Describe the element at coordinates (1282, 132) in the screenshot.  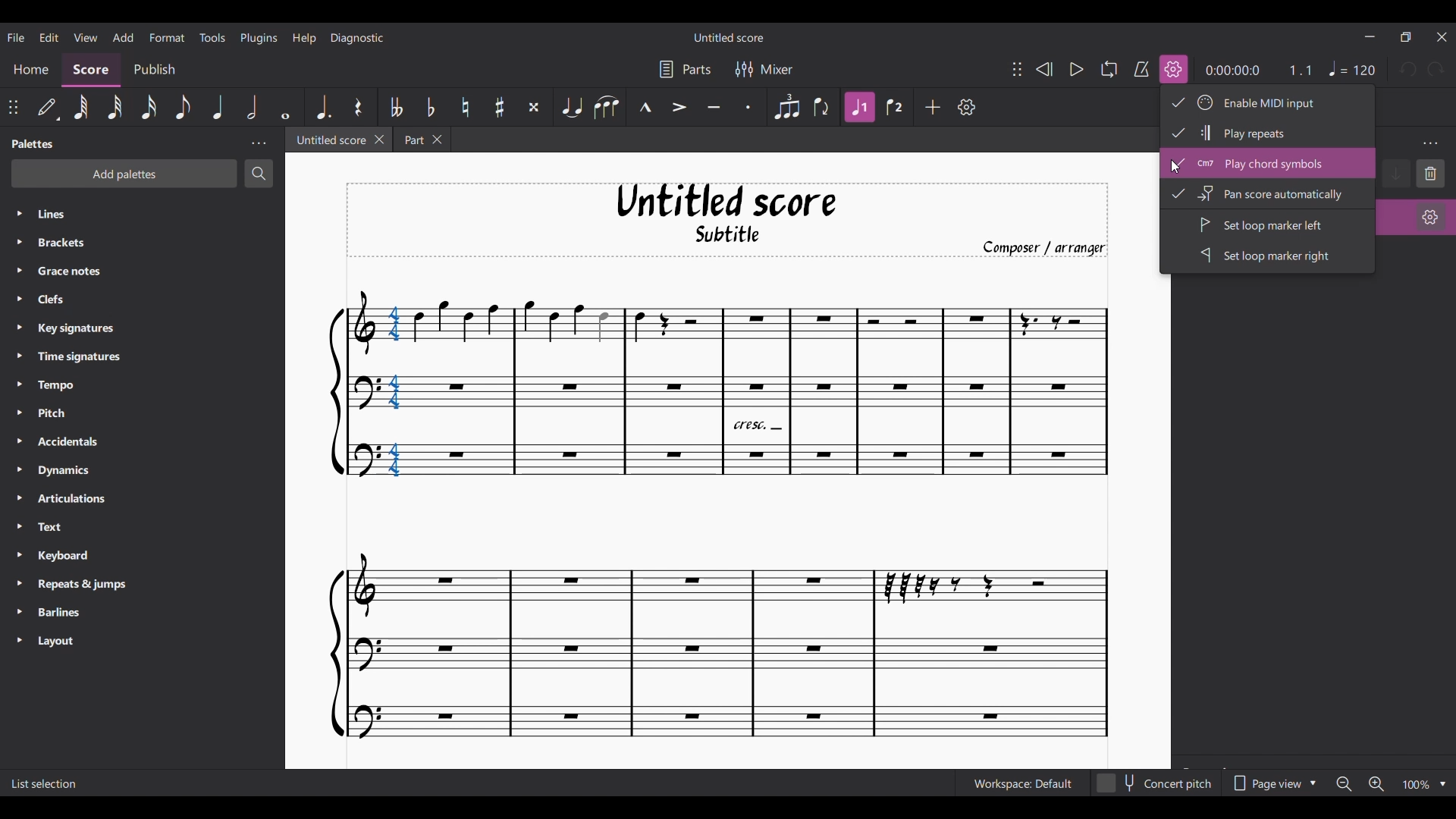
I see `Play repeats` at that location.